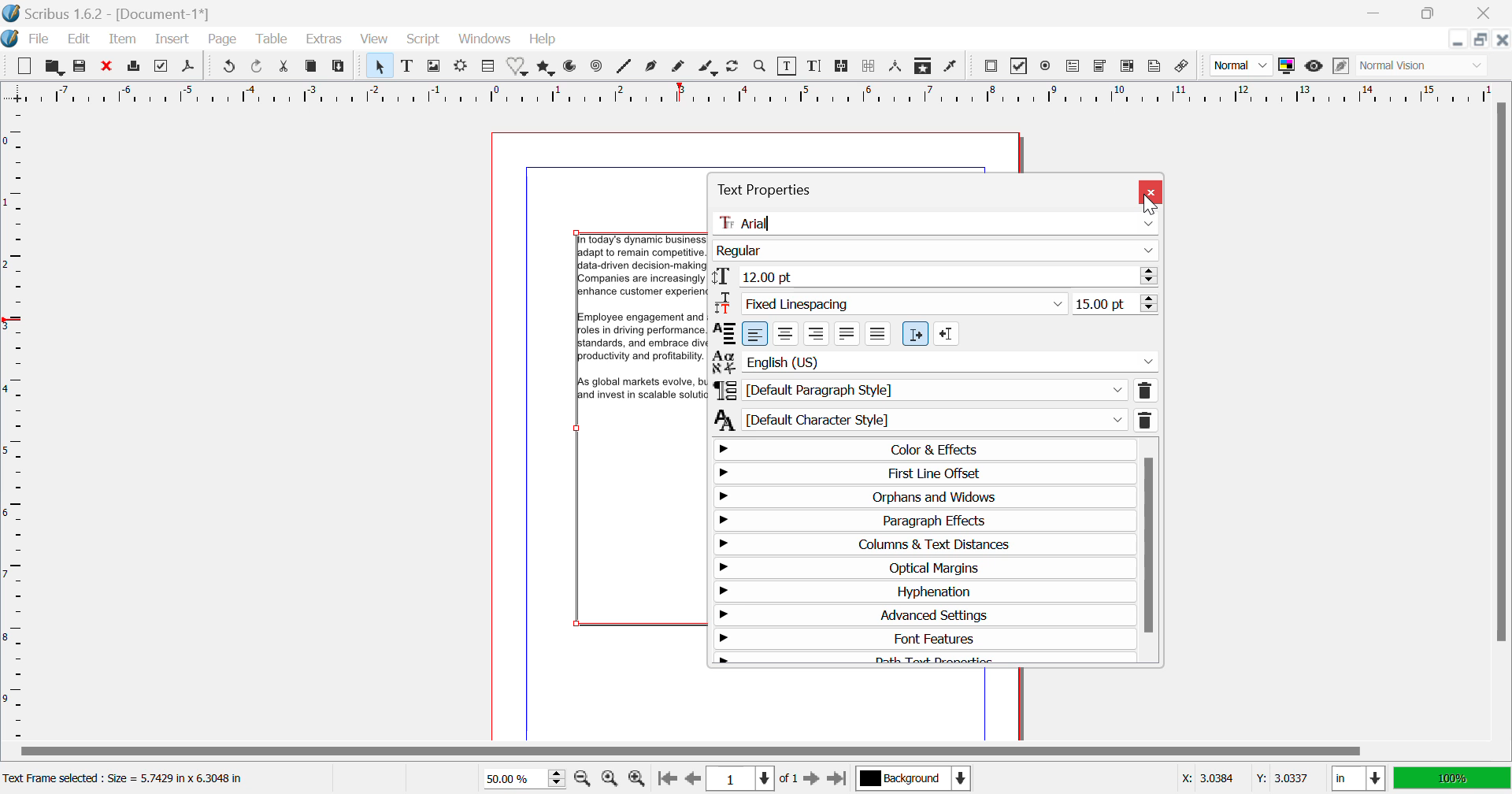 The width and height of the screenshot is (1512, 794). What do you see at coordinates (736, 67) in the screenshot?
I see `Refresh` at bounding box center [736, 67].